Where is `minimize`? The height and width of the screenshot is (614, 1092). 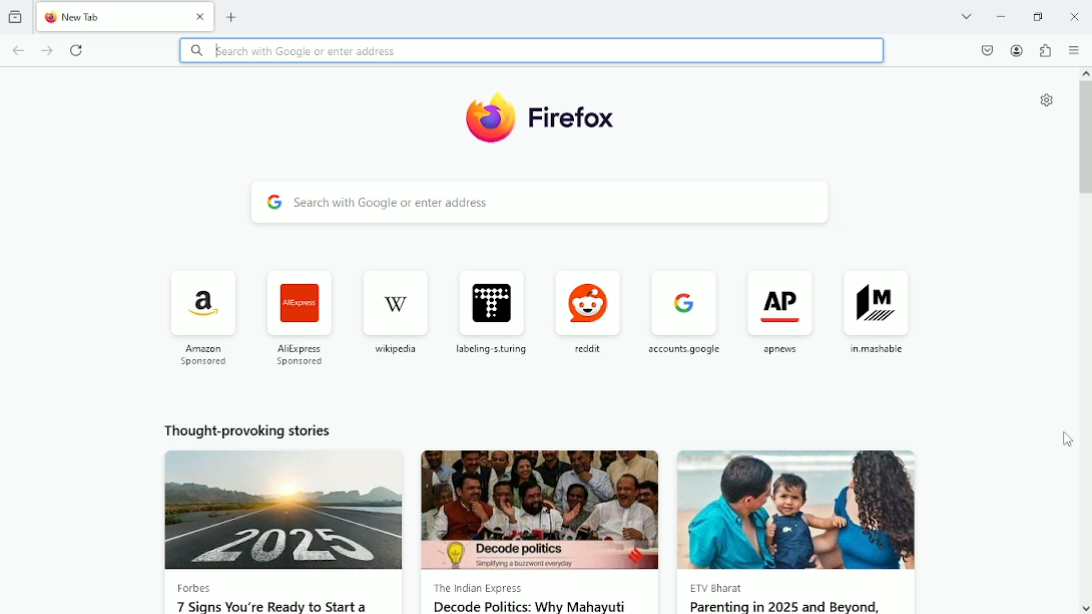
minimize is located at coordinates (999, 15).